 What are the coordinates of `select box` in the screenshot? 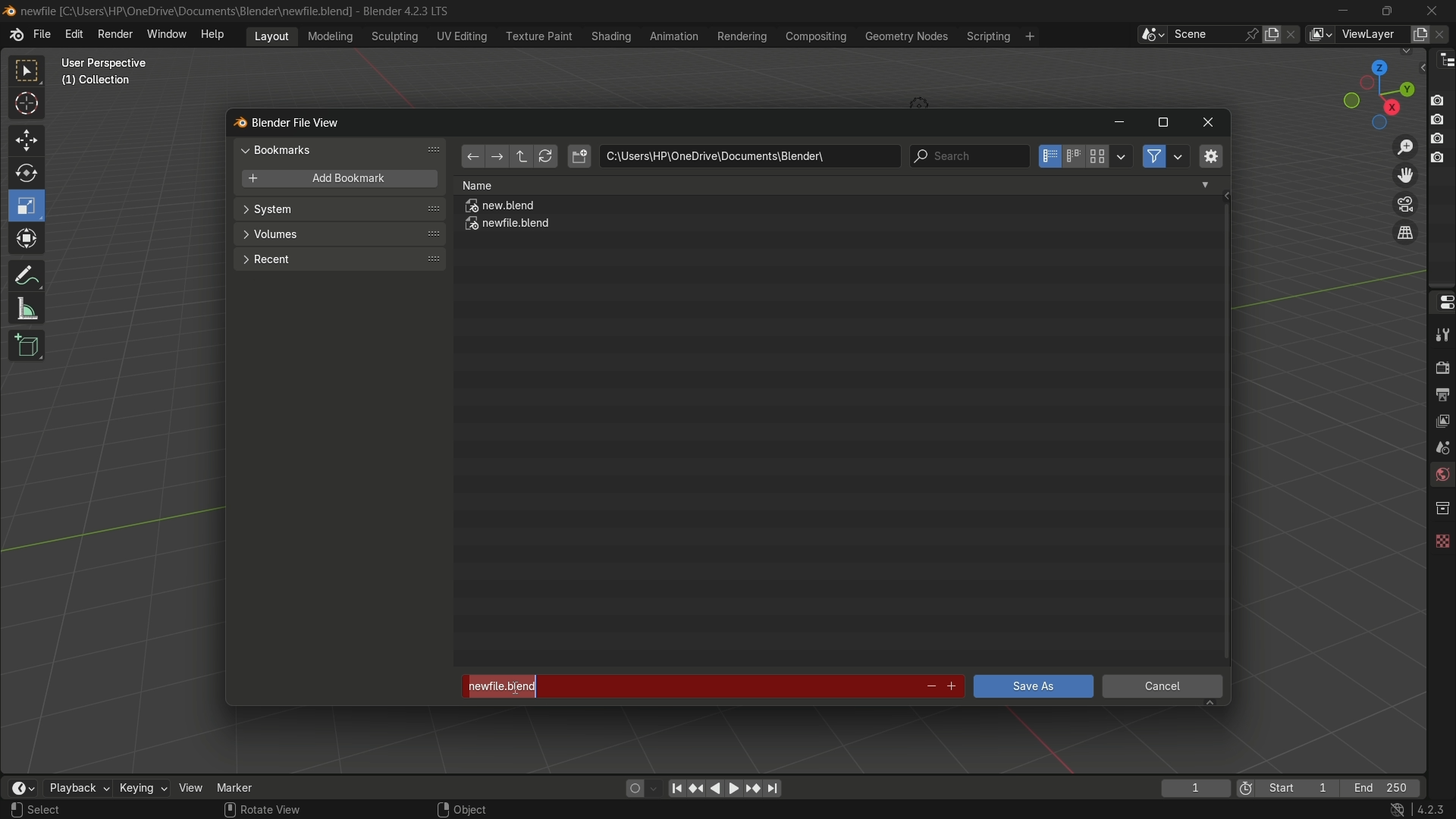 It's located at (28, 71).